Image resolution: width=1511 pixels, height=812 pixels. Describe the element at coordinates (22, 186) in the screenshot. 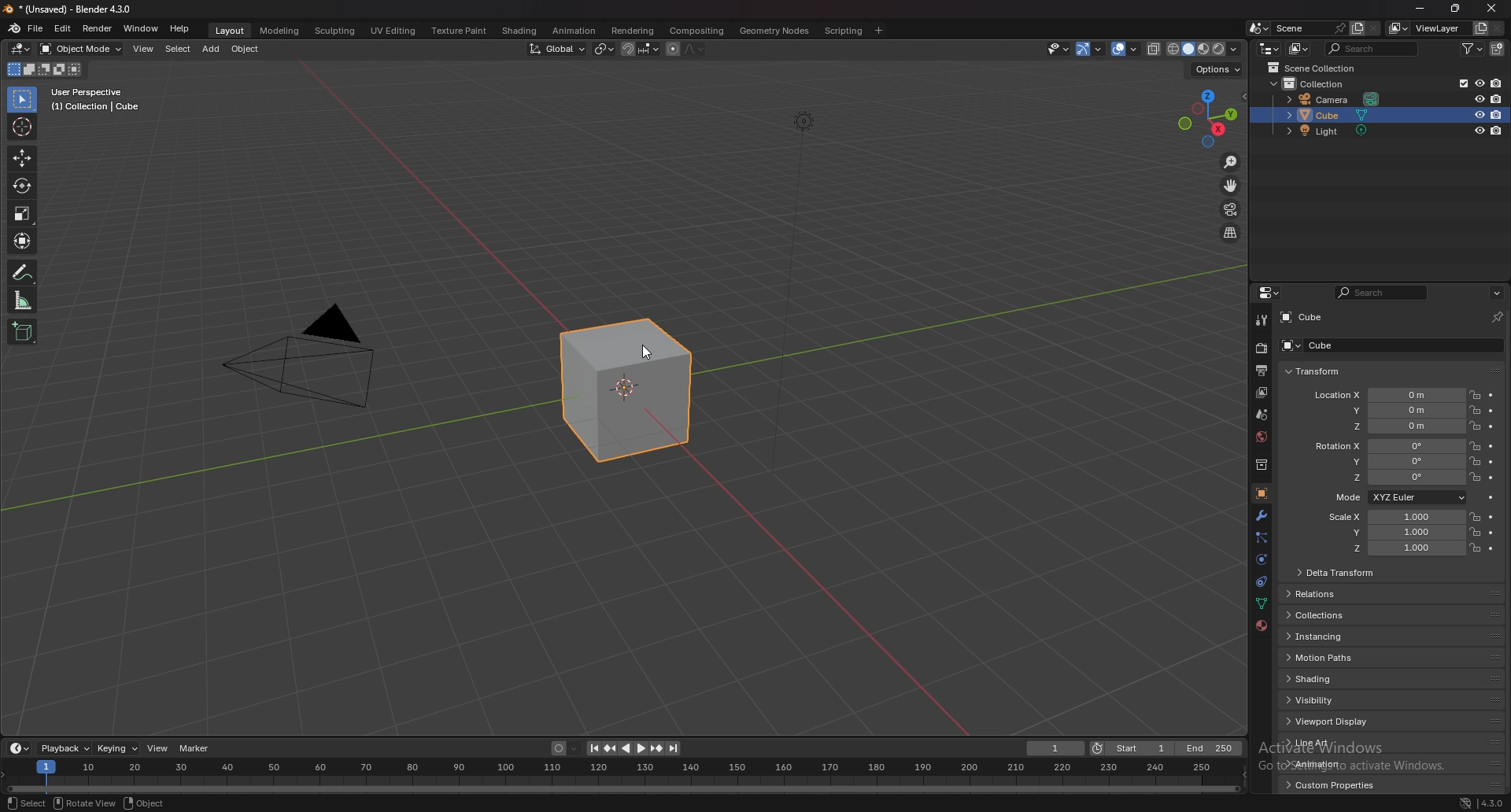

I see `rotate` at that location.